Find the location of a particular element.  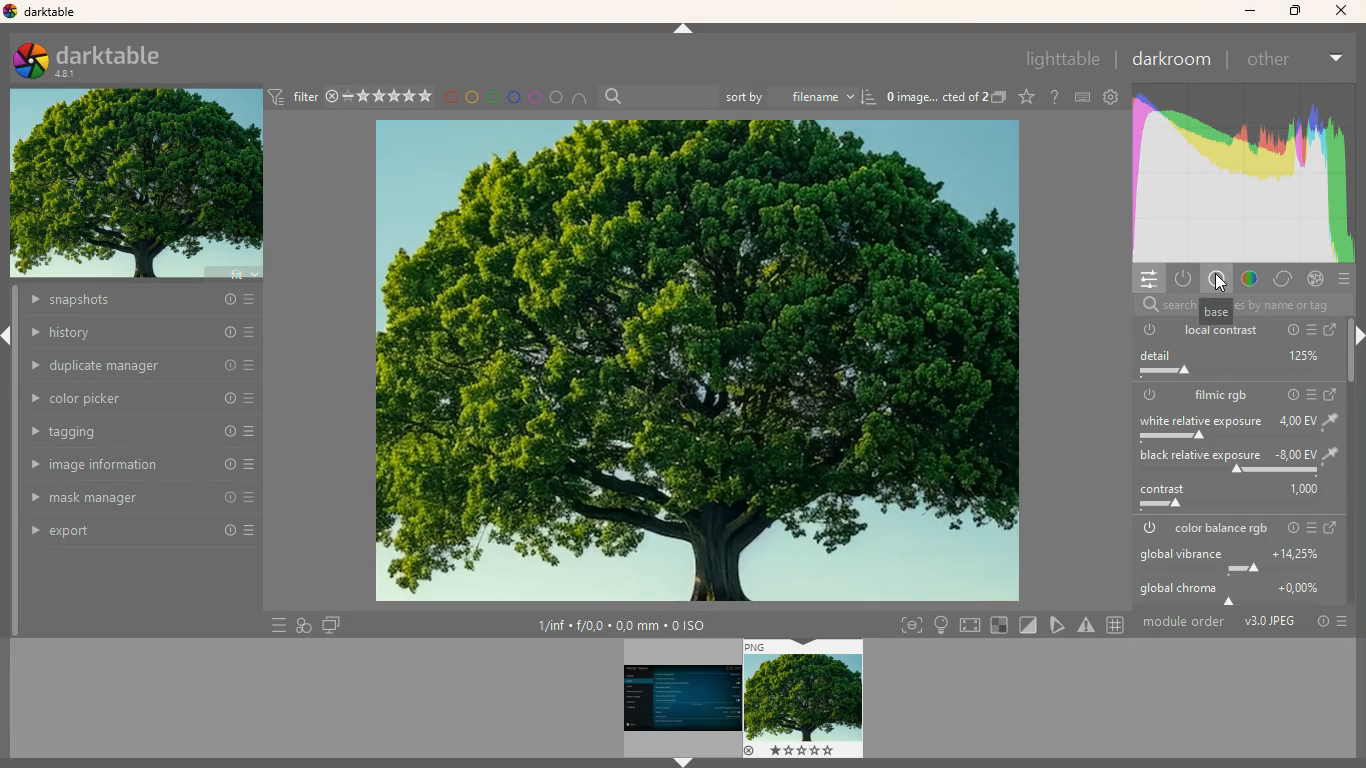

image is located at coordinates (1270, 624).